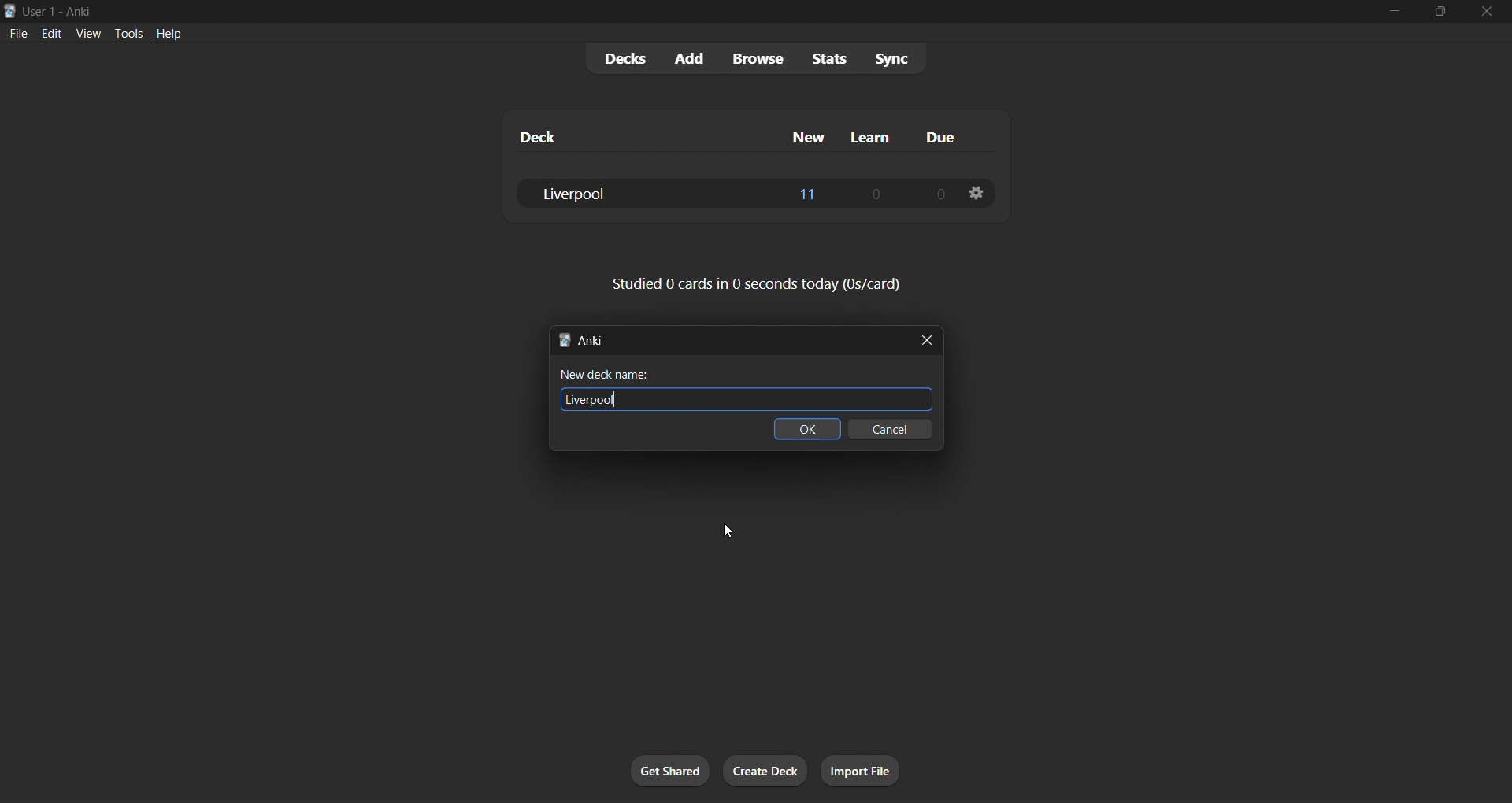  I want to click on help, so click(172, 34).